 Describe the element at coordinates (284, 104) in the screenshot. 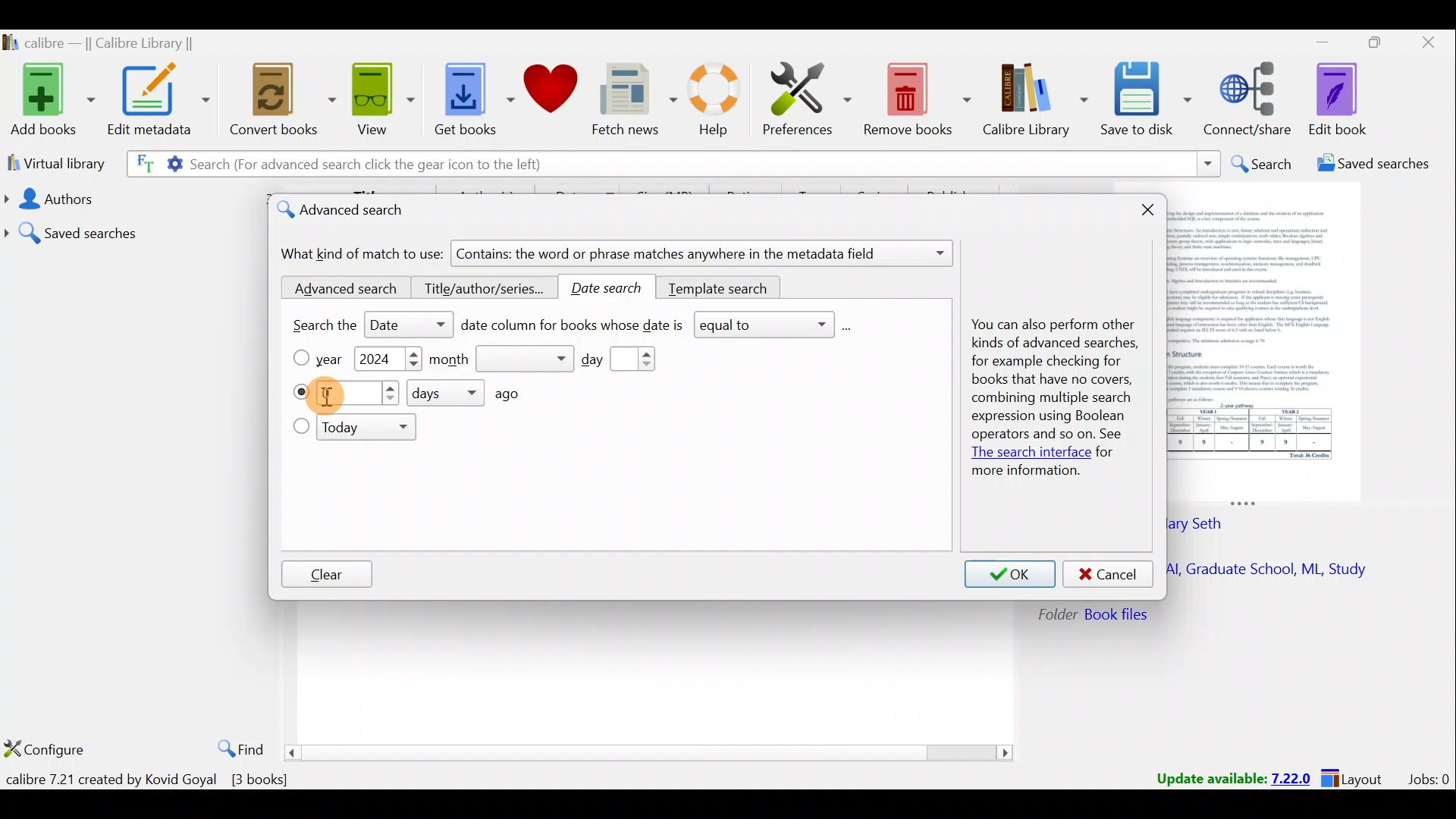

I see `Convert books` at that location.